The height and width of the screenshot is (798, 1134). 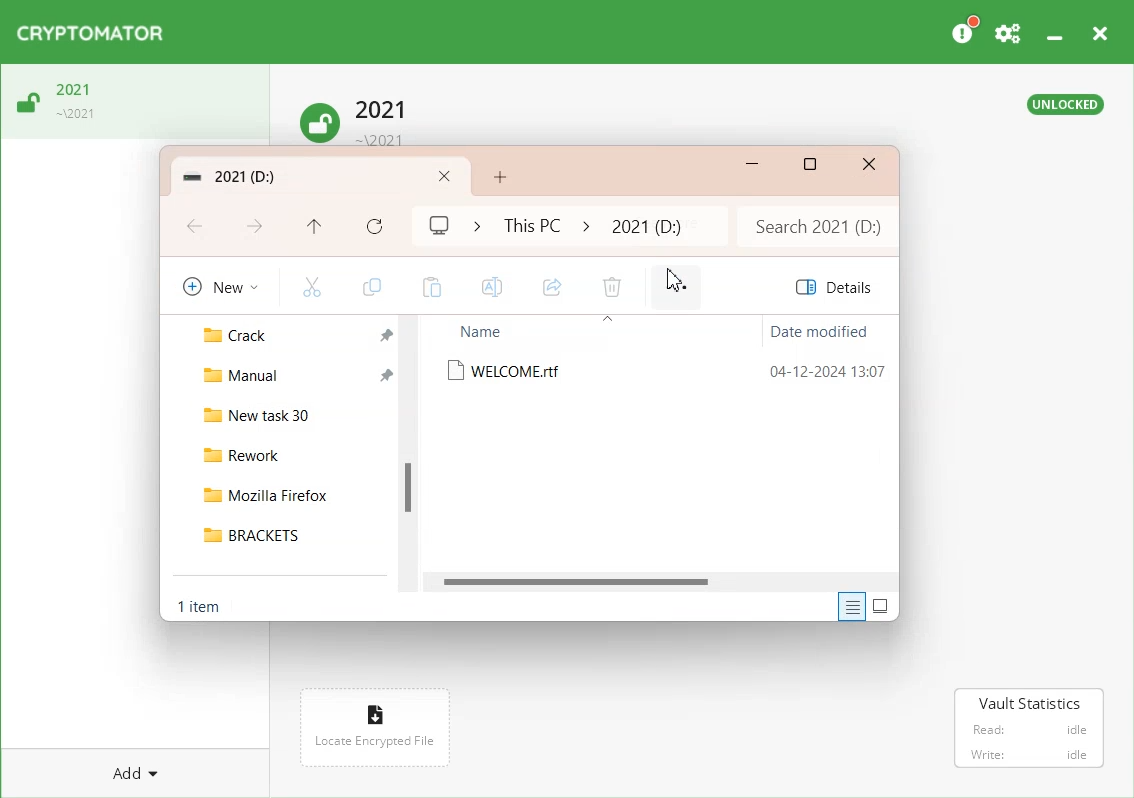 I want to click on icon, so click(x=608, y=325).